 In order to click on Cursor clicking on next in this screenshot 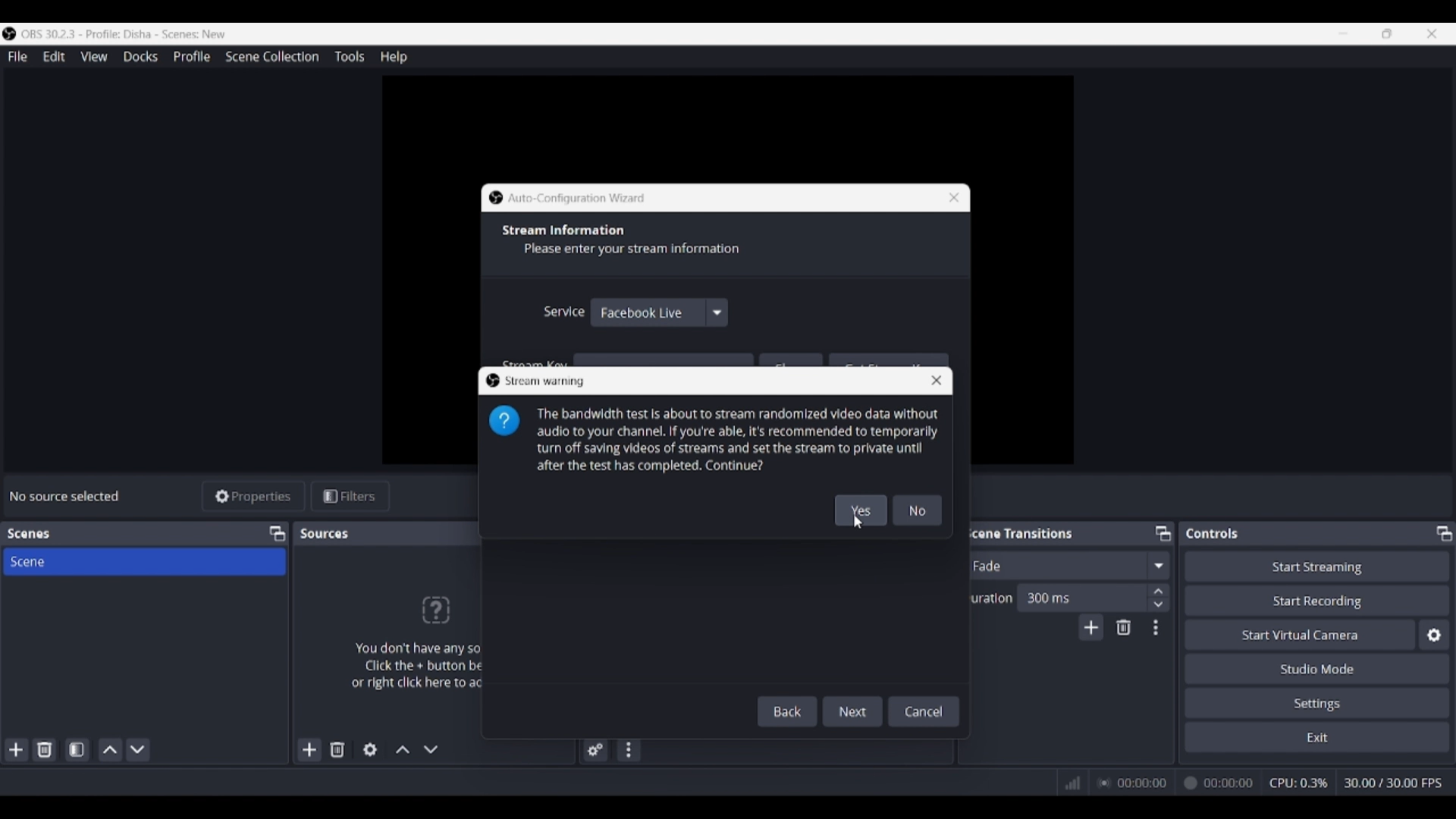, I will do `click(855, 720)`.